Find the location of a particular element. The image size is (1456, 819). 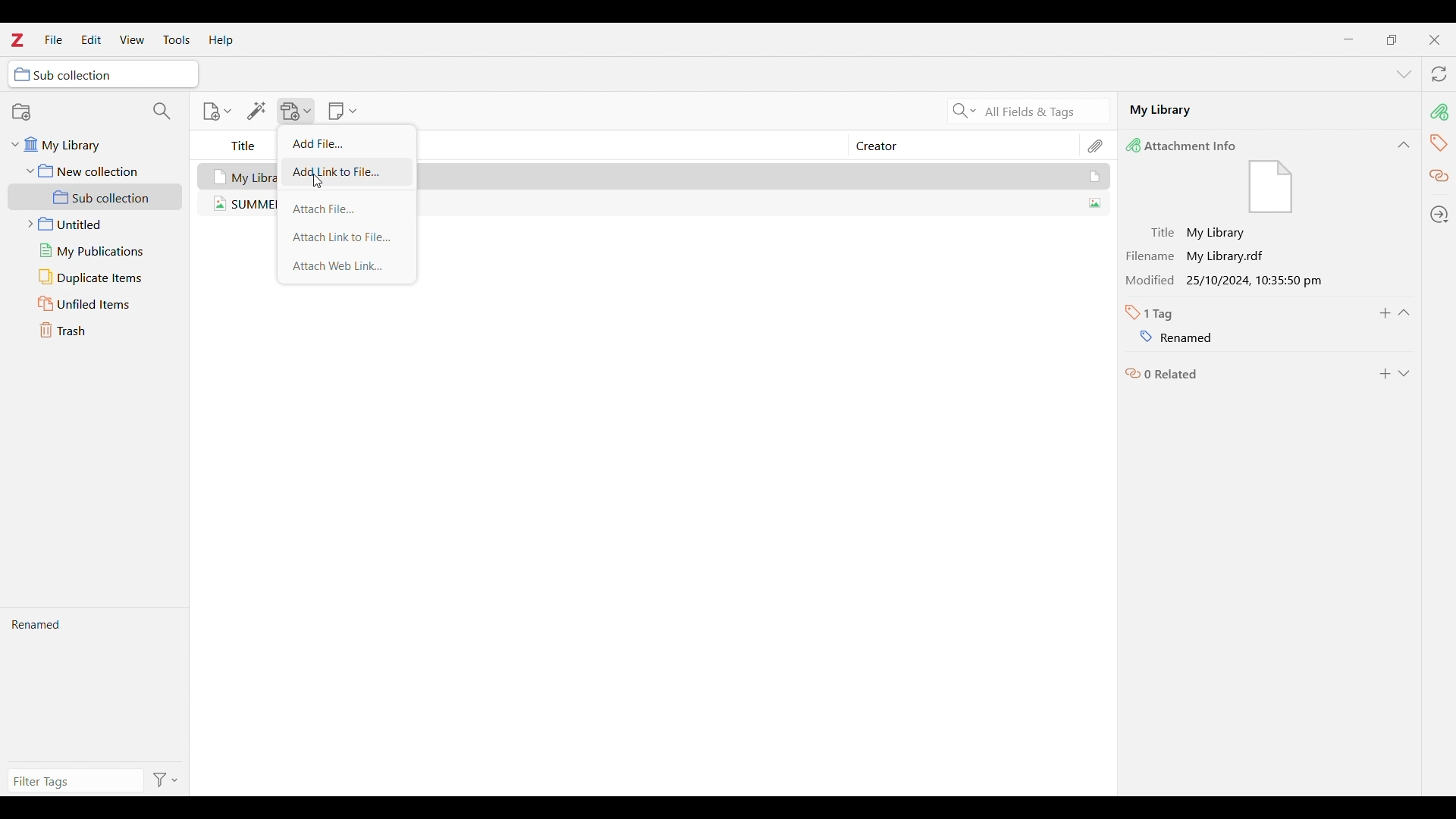

Modified 25/10/2024, 10:35:50 pm is located at coordinates (1231, 281).